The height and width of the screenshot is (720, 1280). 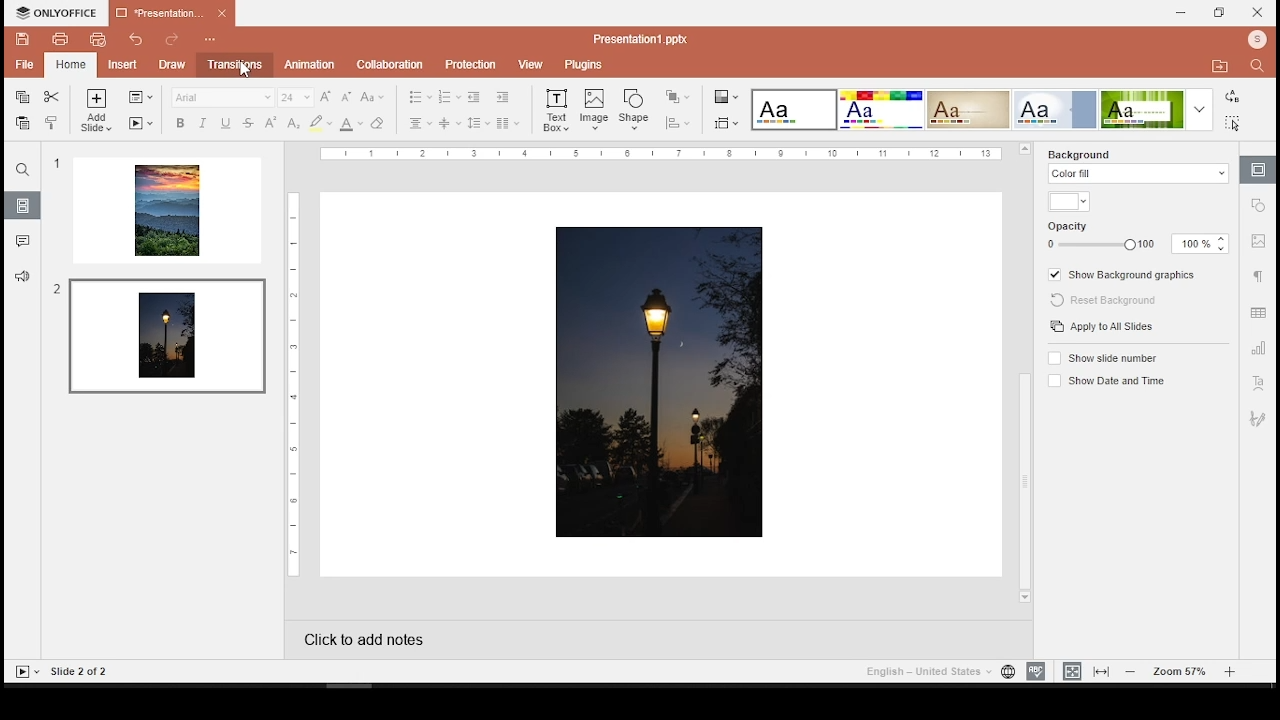 I want to click on slide style, so click(x=1055, y=110).